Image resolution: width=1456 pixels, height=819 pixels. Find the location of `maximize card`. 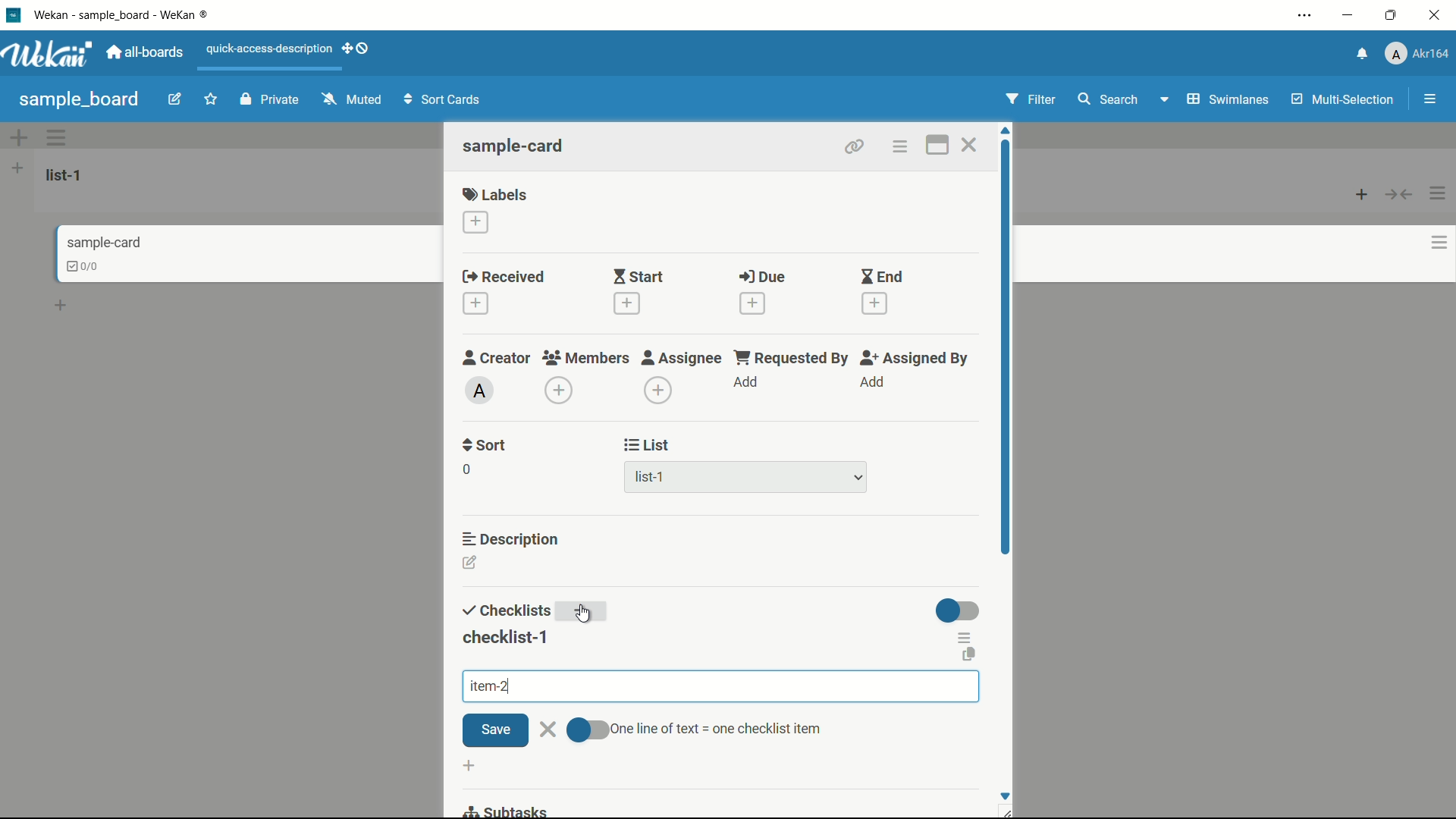

maximize card is located at coordinates (937, 147).